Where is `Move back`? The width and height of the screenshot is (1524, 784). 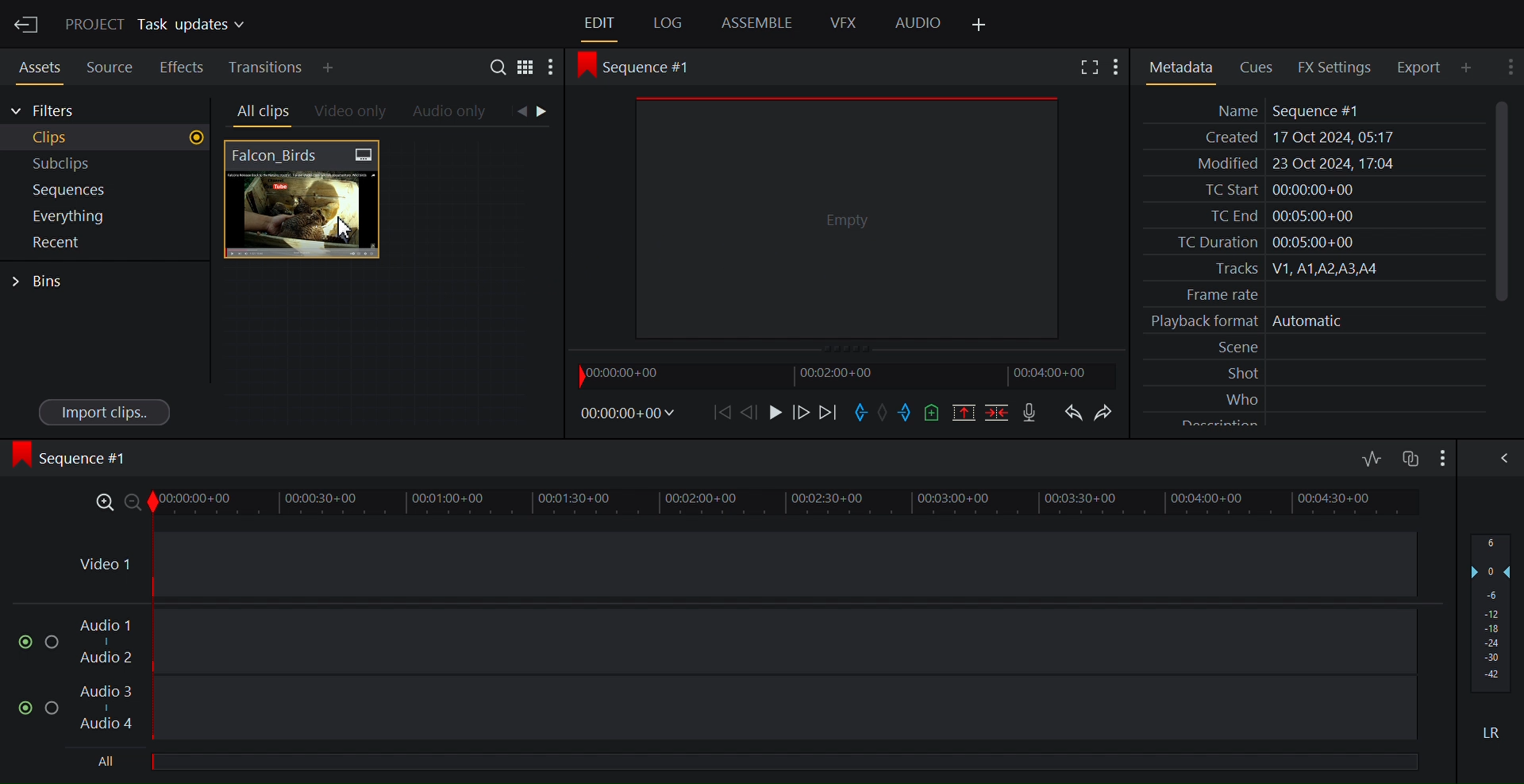
Move back is located at coordinates (725, 413).